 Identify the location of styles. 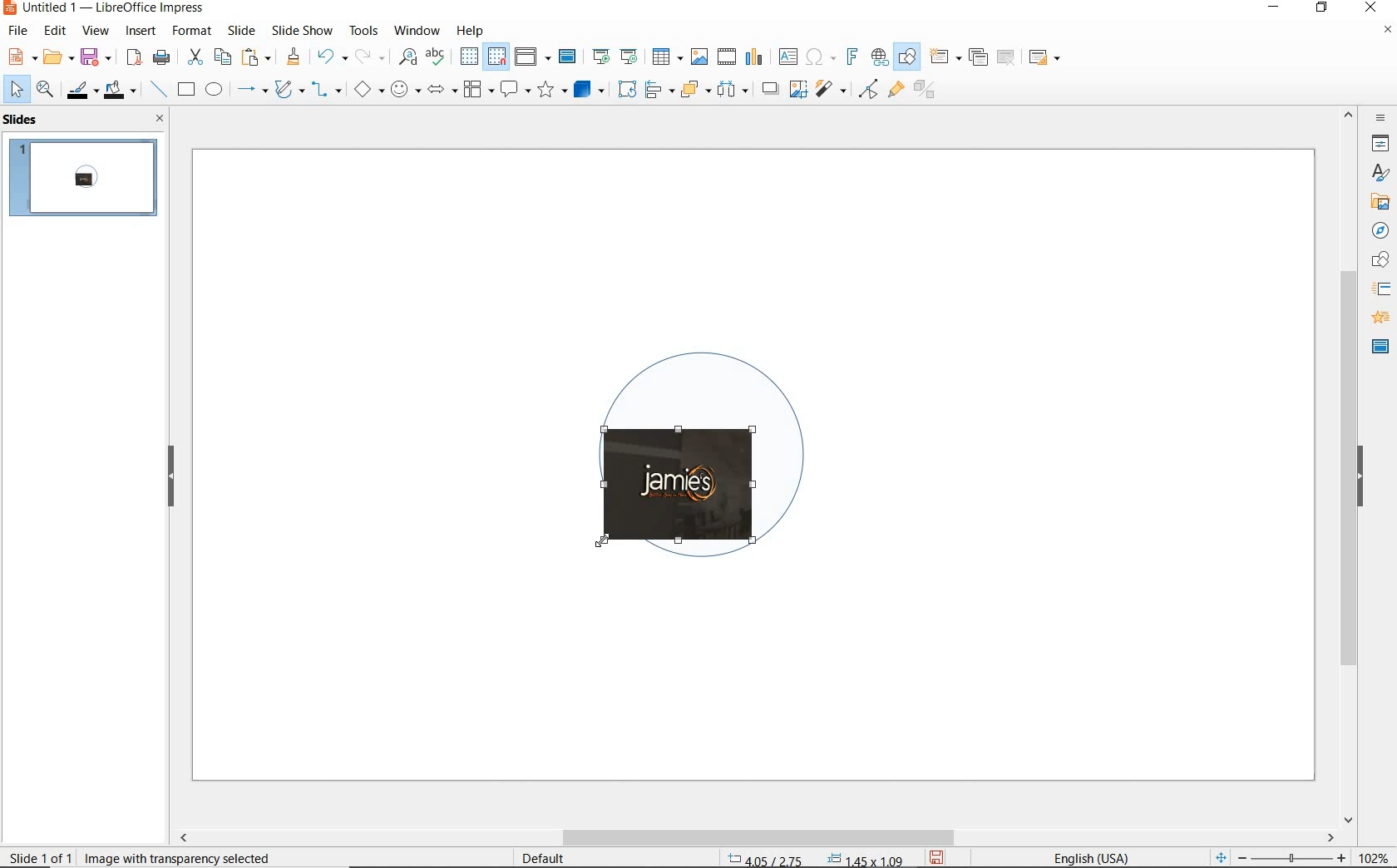
(1380, 174).